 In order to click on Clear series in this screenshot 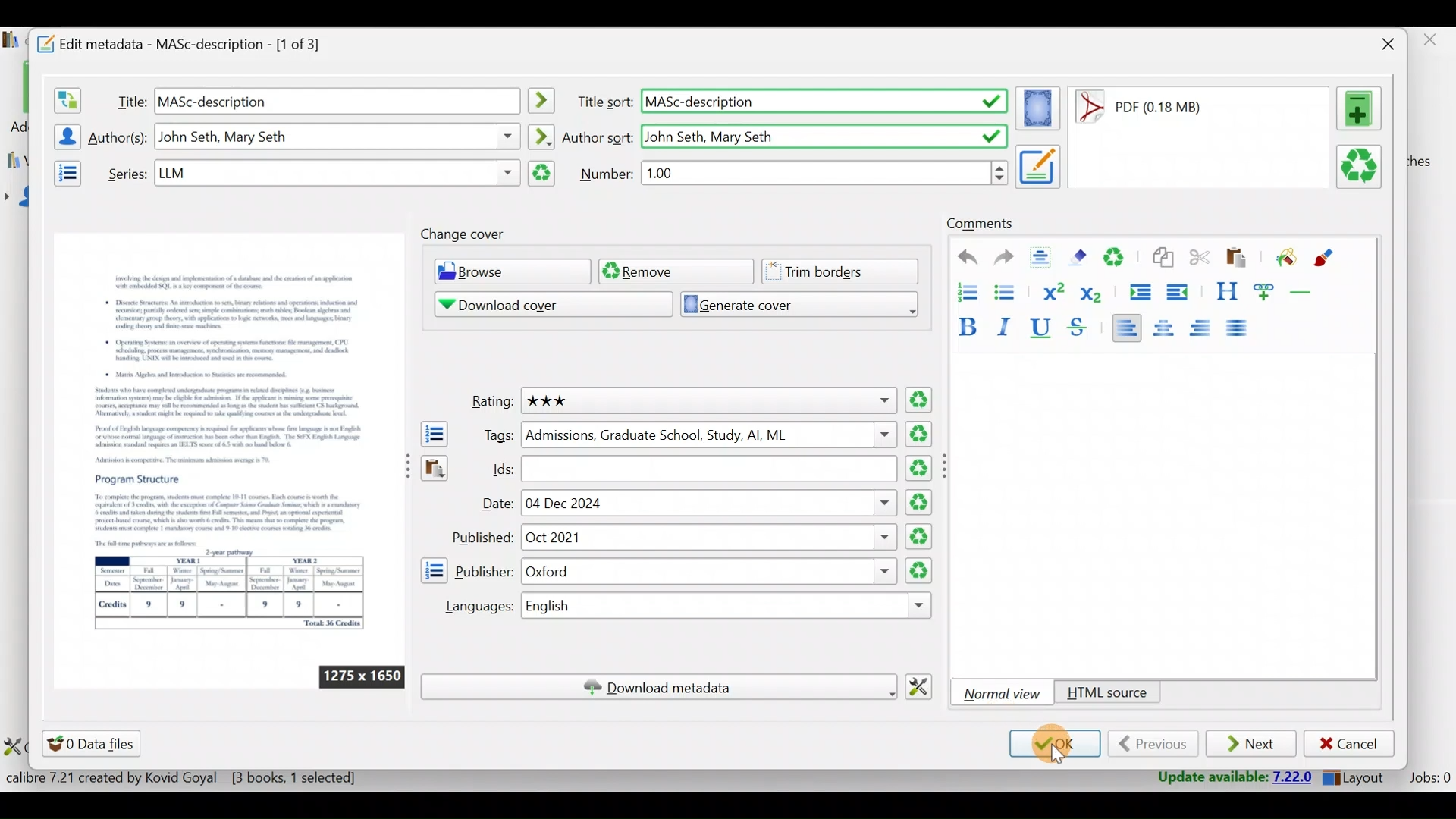, I will do `click(542, 174)`.